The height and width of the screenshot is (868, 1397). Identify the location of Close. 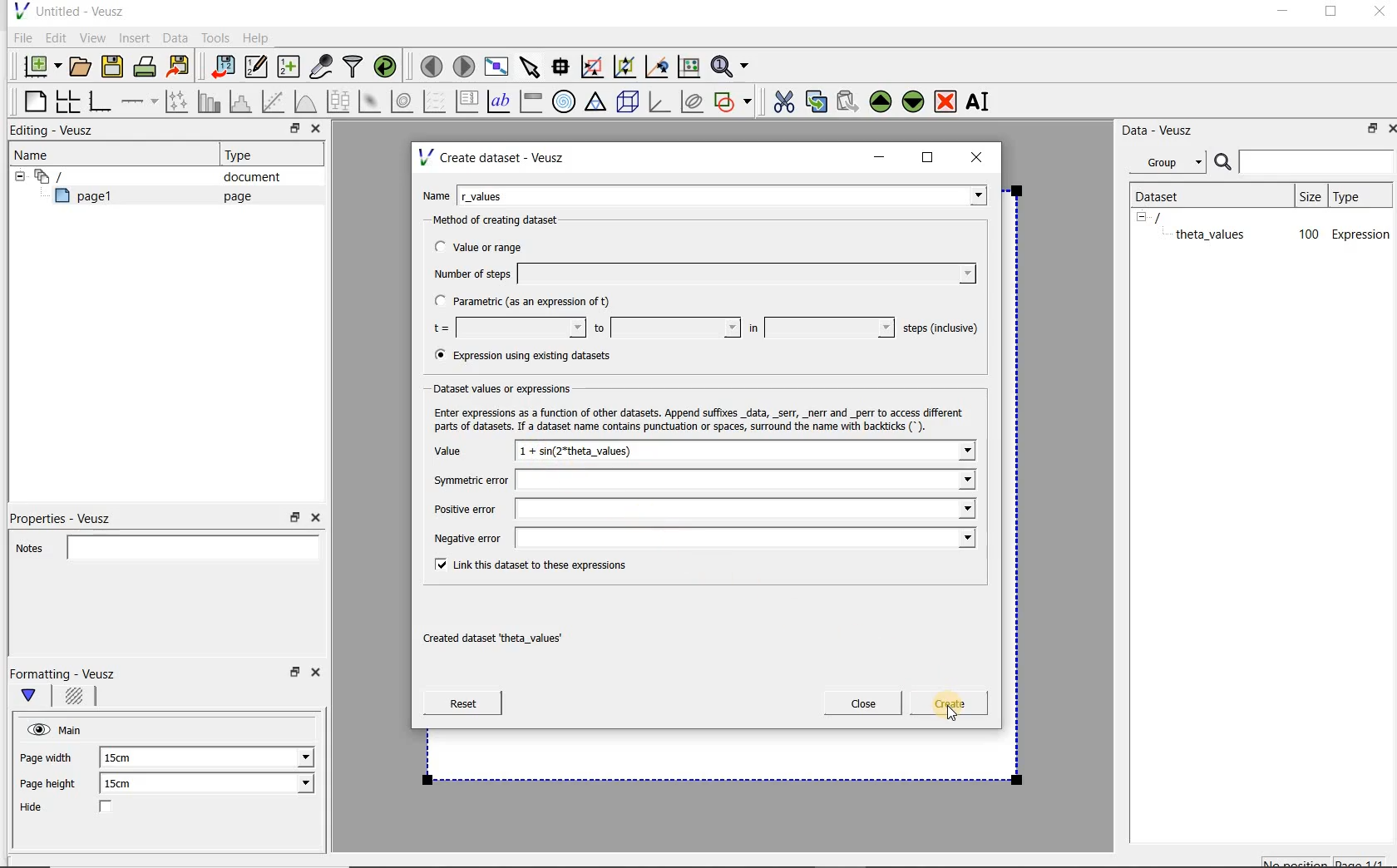
(314, 131).